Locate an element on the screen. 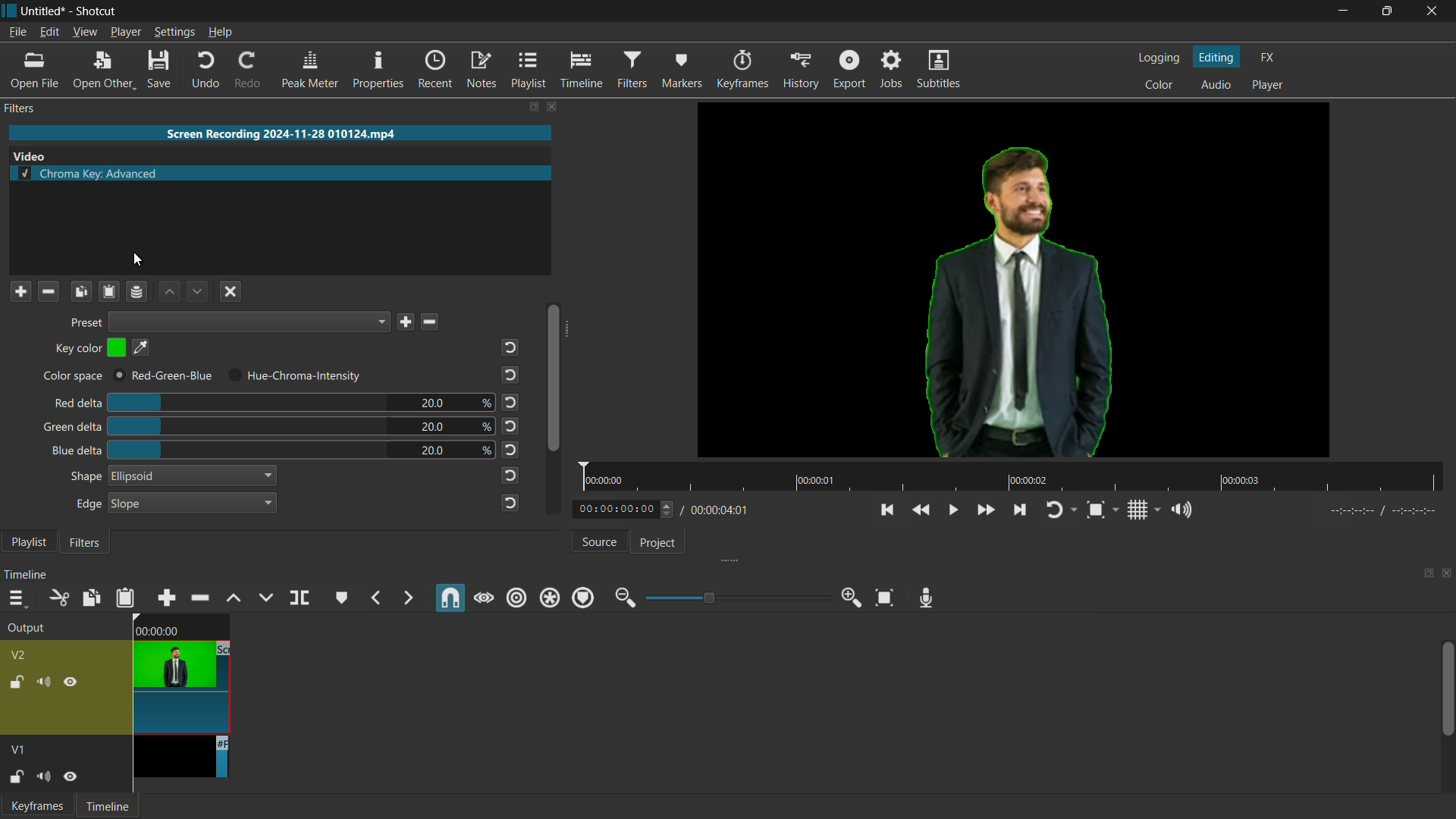 The width and height of the screenshot is (1456, 819). reset to default is located at coordinates (513, 347).